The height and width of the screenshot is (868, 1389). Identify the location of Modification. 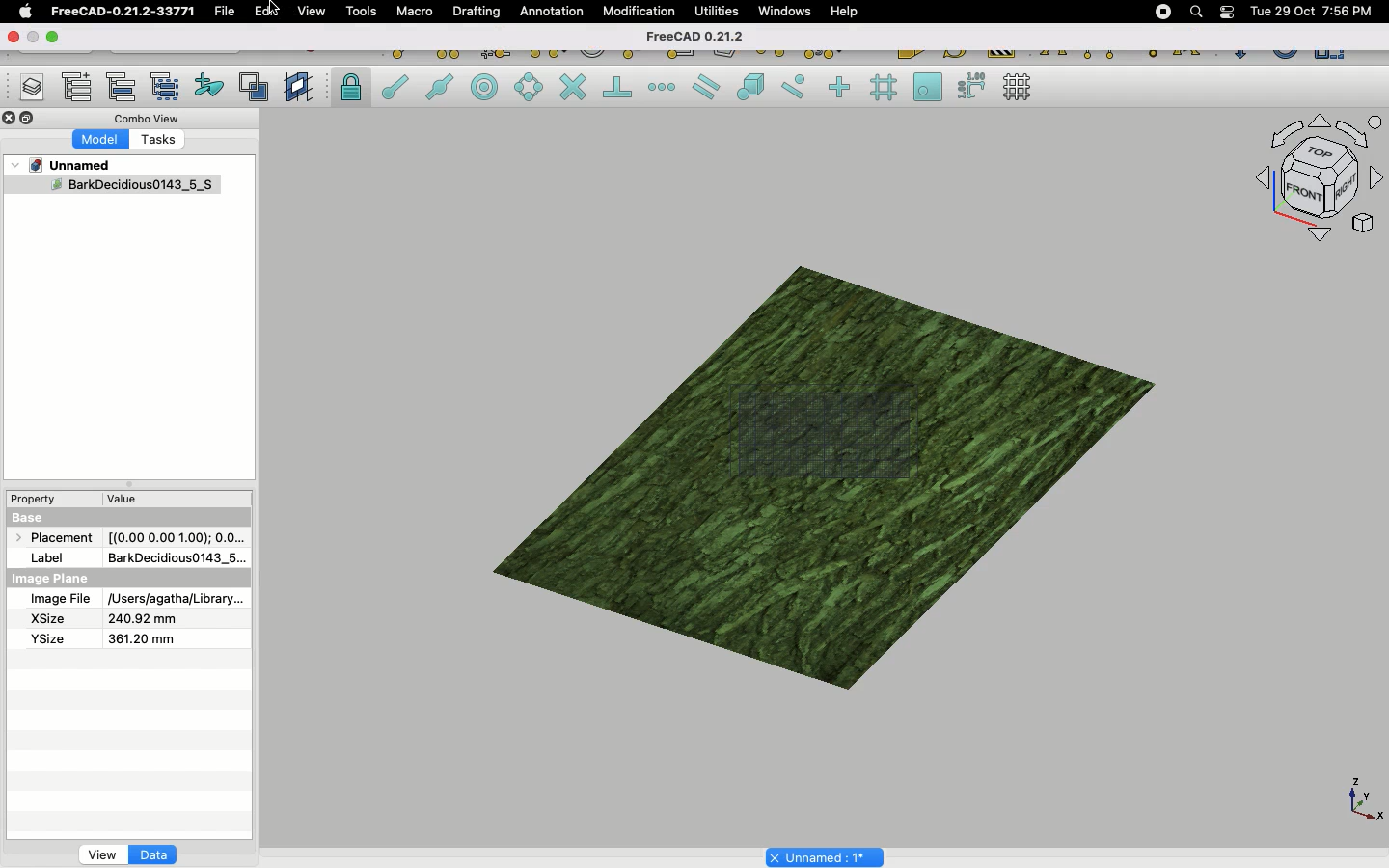
(643, 14).